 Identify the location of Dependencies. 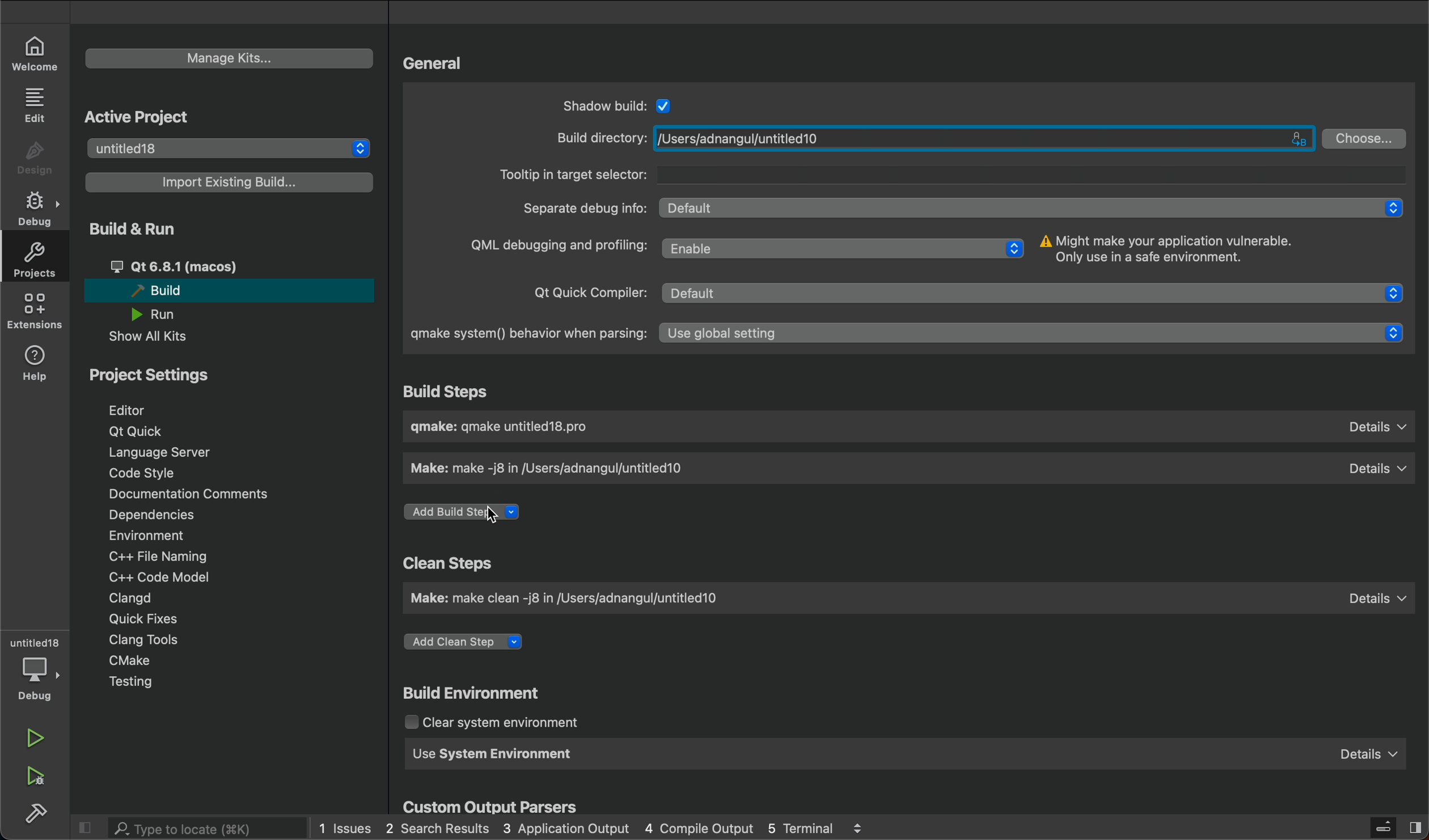
(151, 515).